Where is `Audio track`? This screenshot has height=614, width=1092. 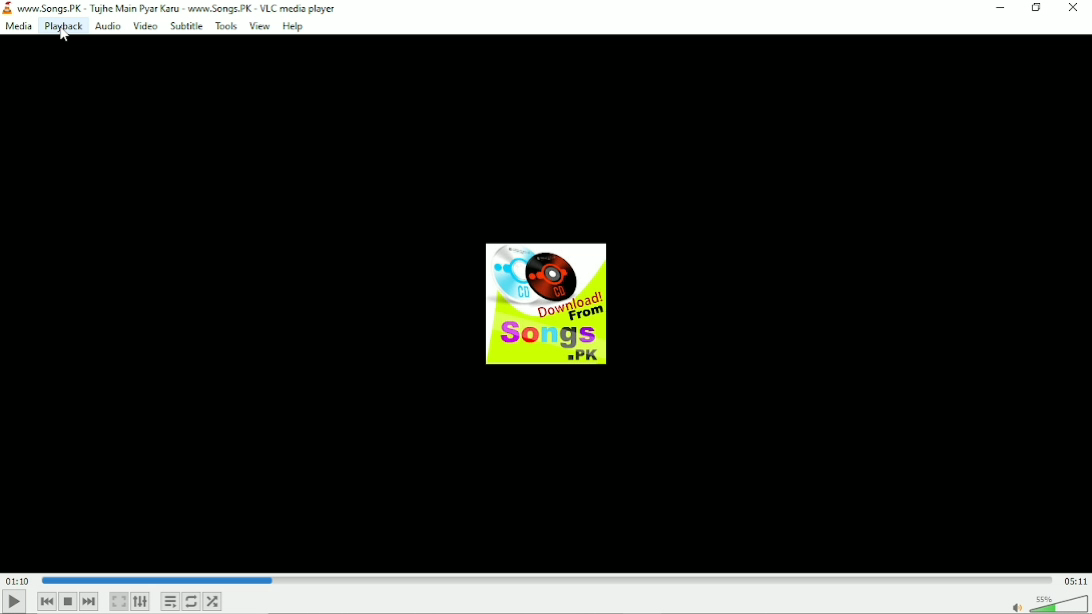
Audio track is located at coordinates (545, 304).